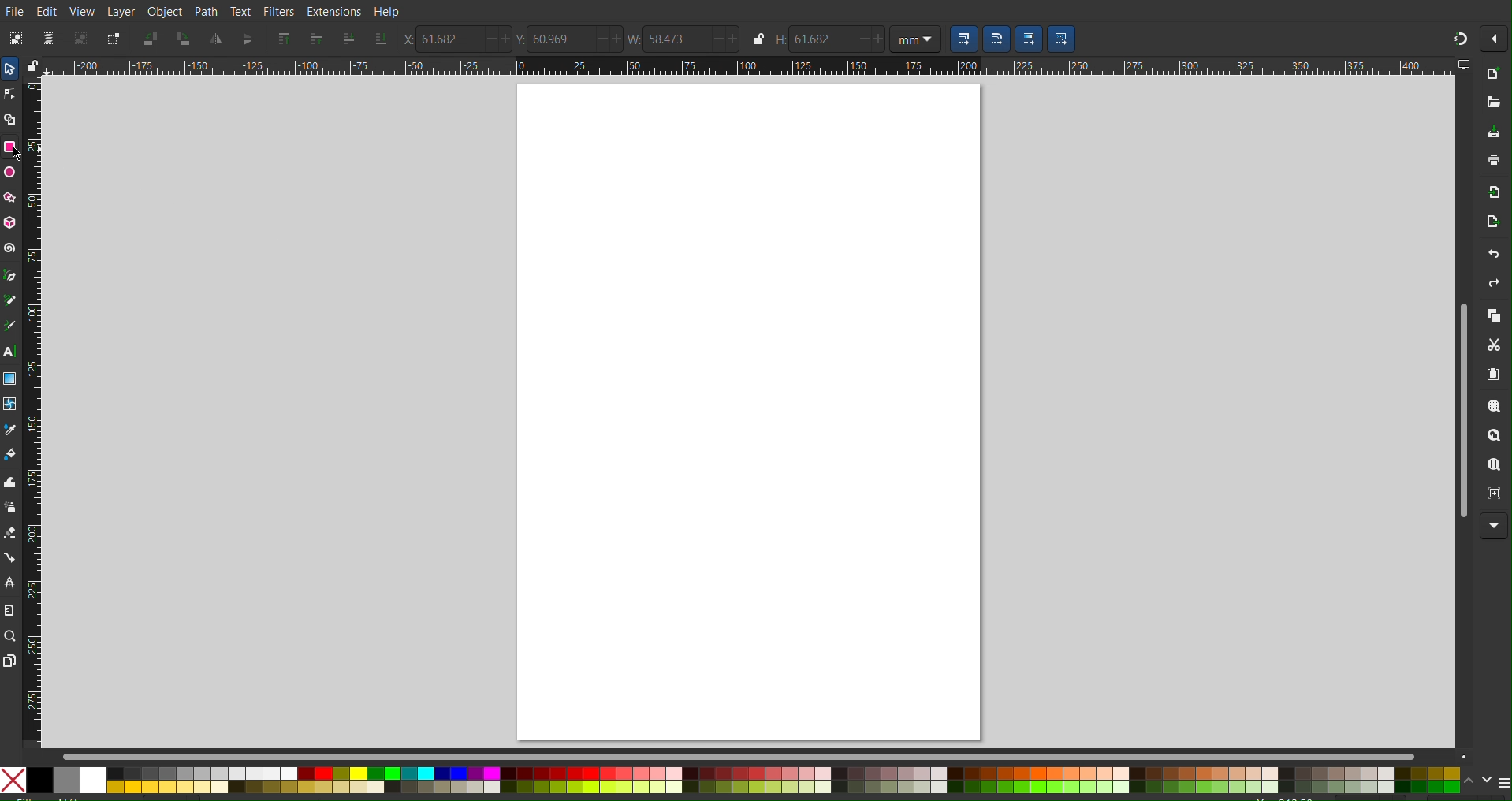  What do you see at coordinates (405, 39) in the screenshot?
I see `X-Coords` at bounding box center [405, 39].